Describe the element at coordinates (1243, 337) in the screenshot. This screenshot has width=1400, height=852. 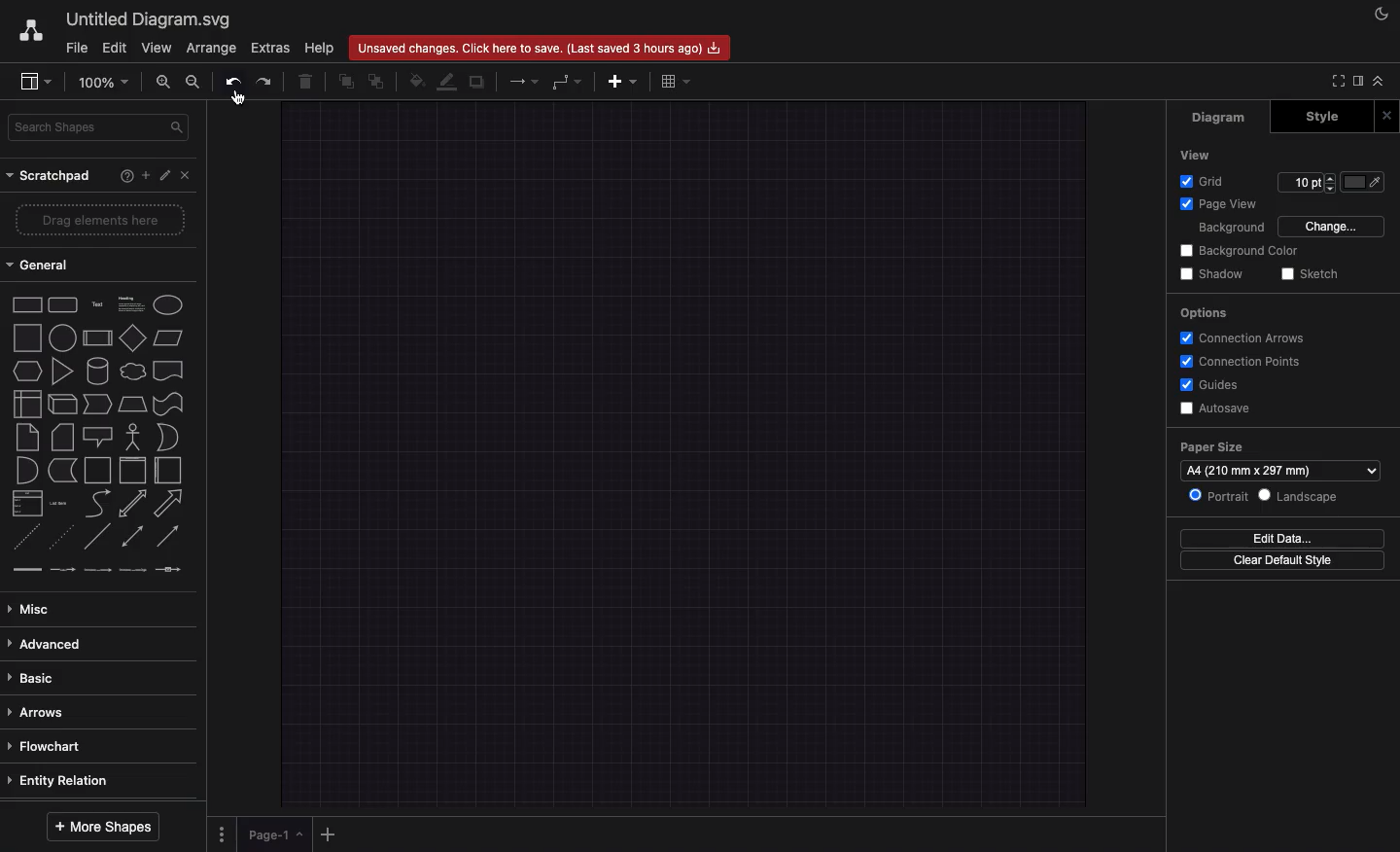
I see `Connection arrows` at that location.